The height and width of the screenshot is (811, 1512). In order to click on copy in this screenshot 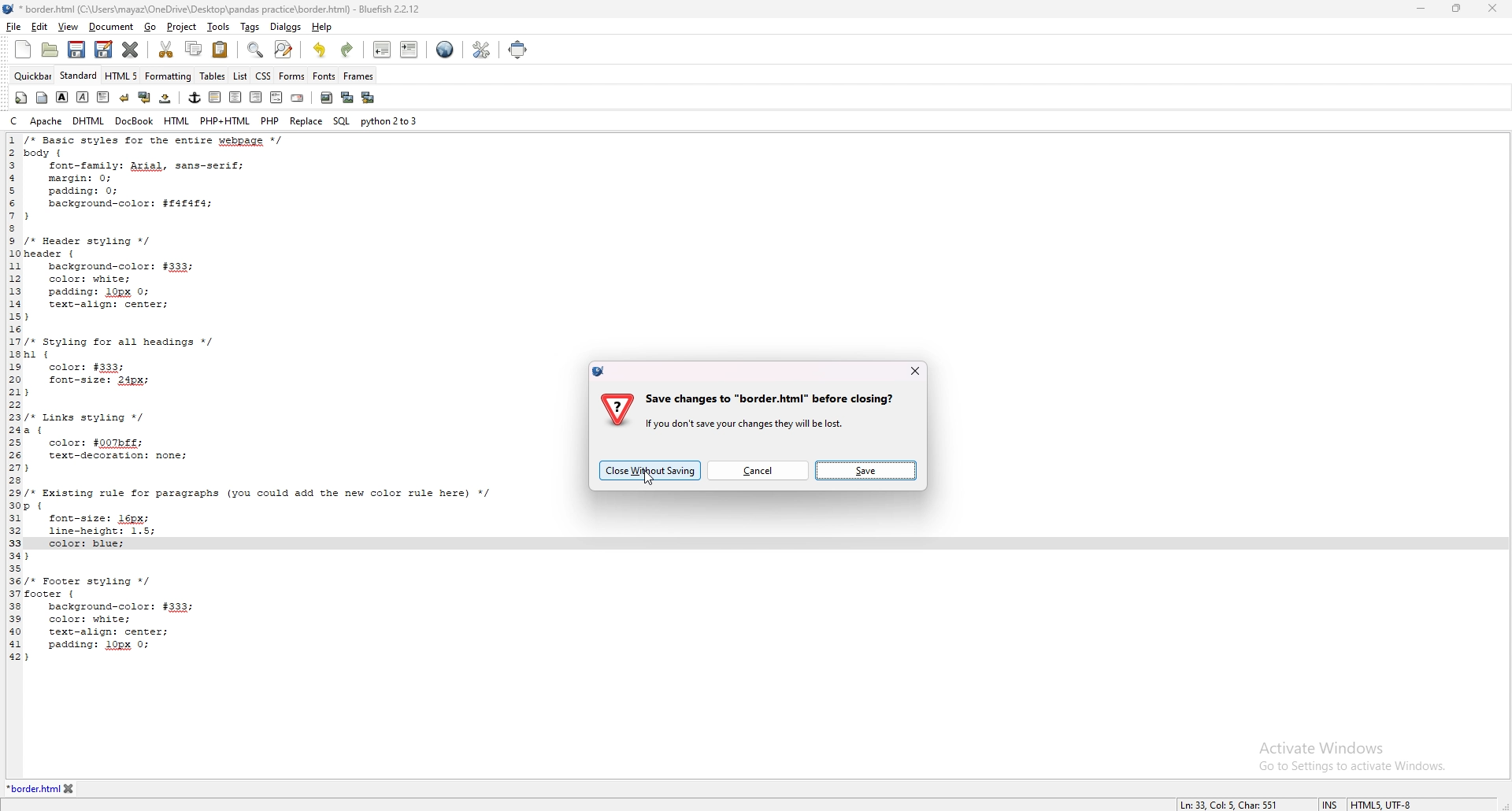, I will do `click(195, 48)`.